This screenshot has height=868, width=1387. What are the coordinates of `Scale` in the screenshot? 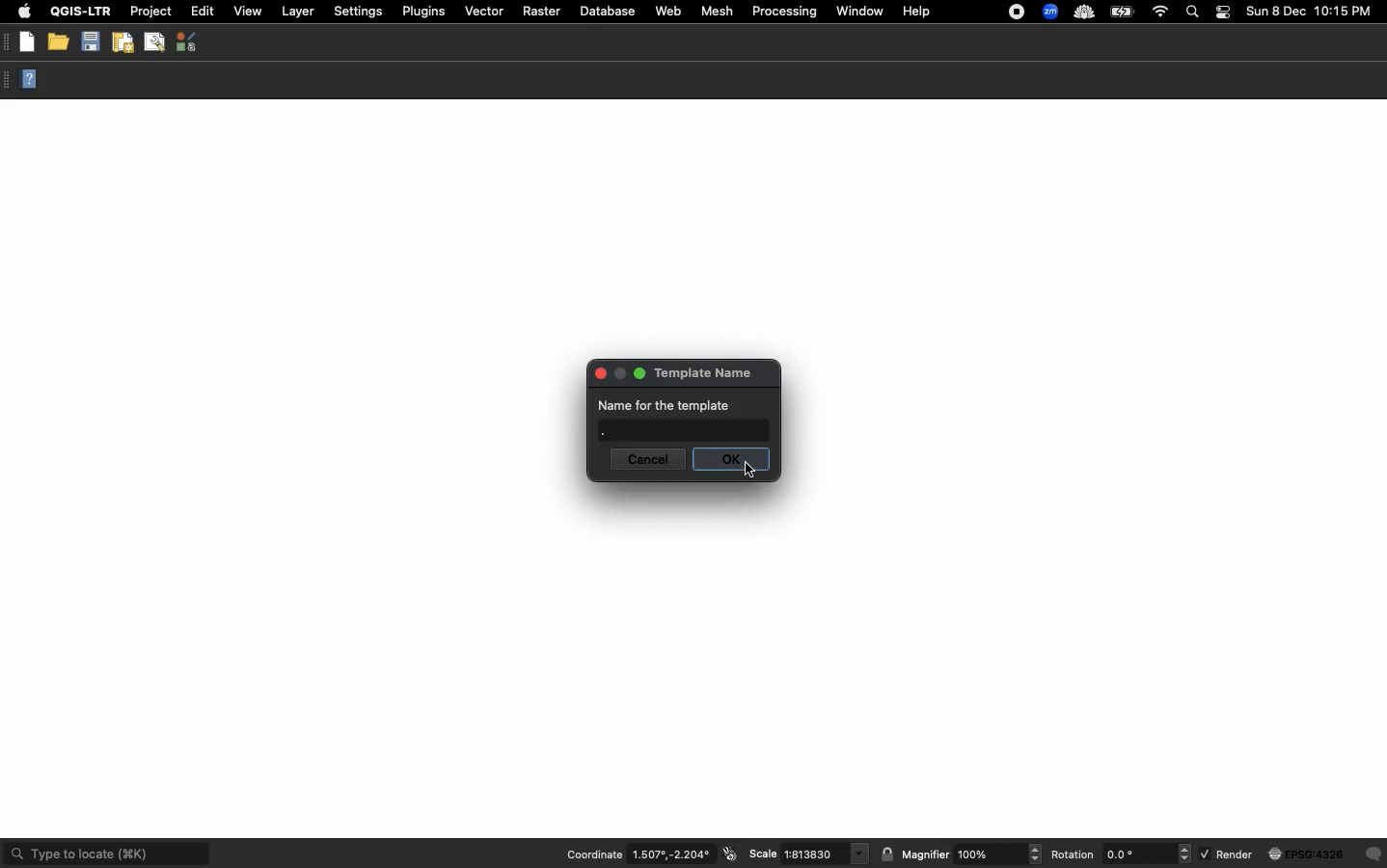 It's located at (762, 854).